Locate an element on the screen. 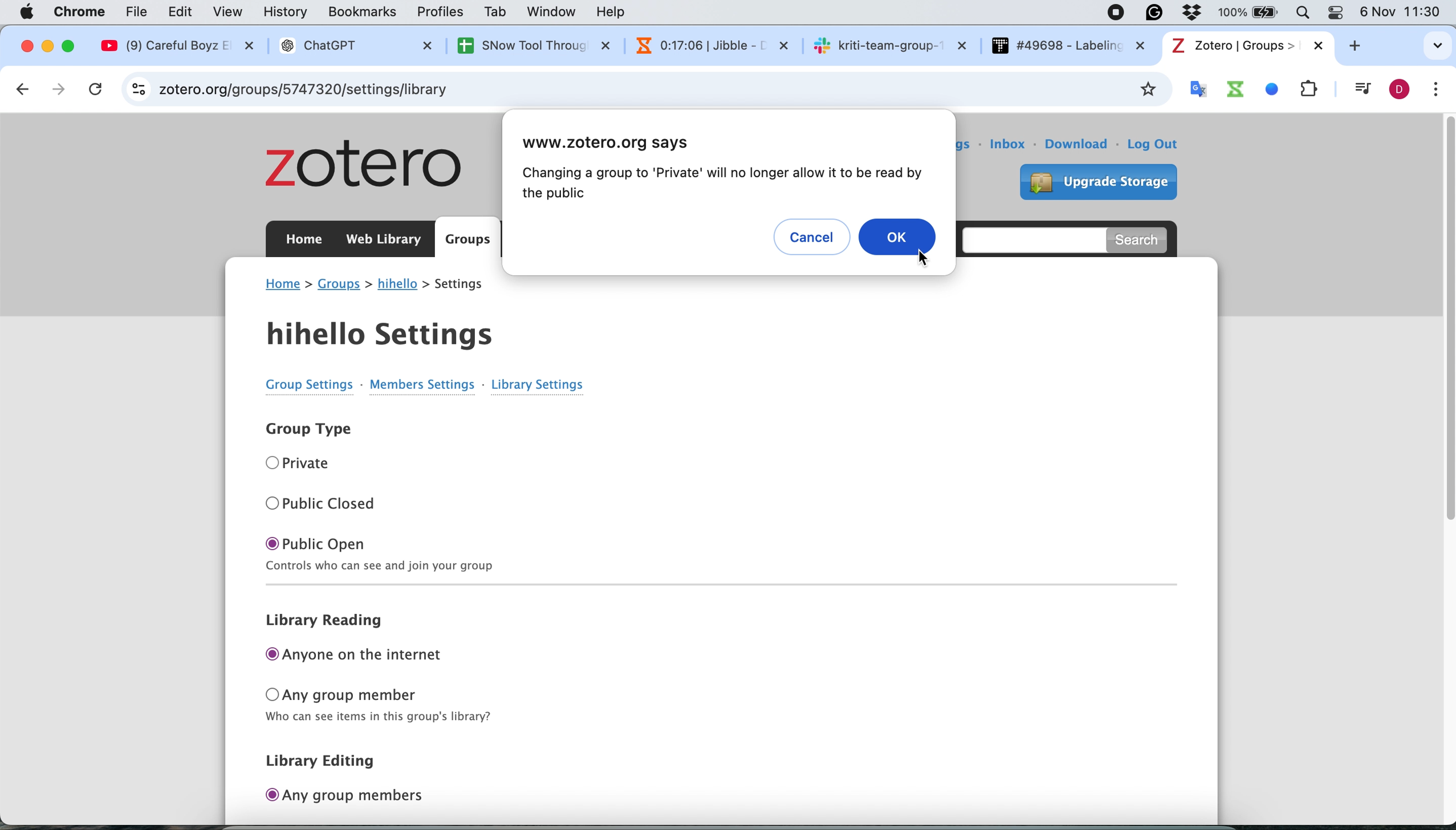 Image resolution: width=1456 pixels, height=830 pixels. help is located at coordinates (616, 11).